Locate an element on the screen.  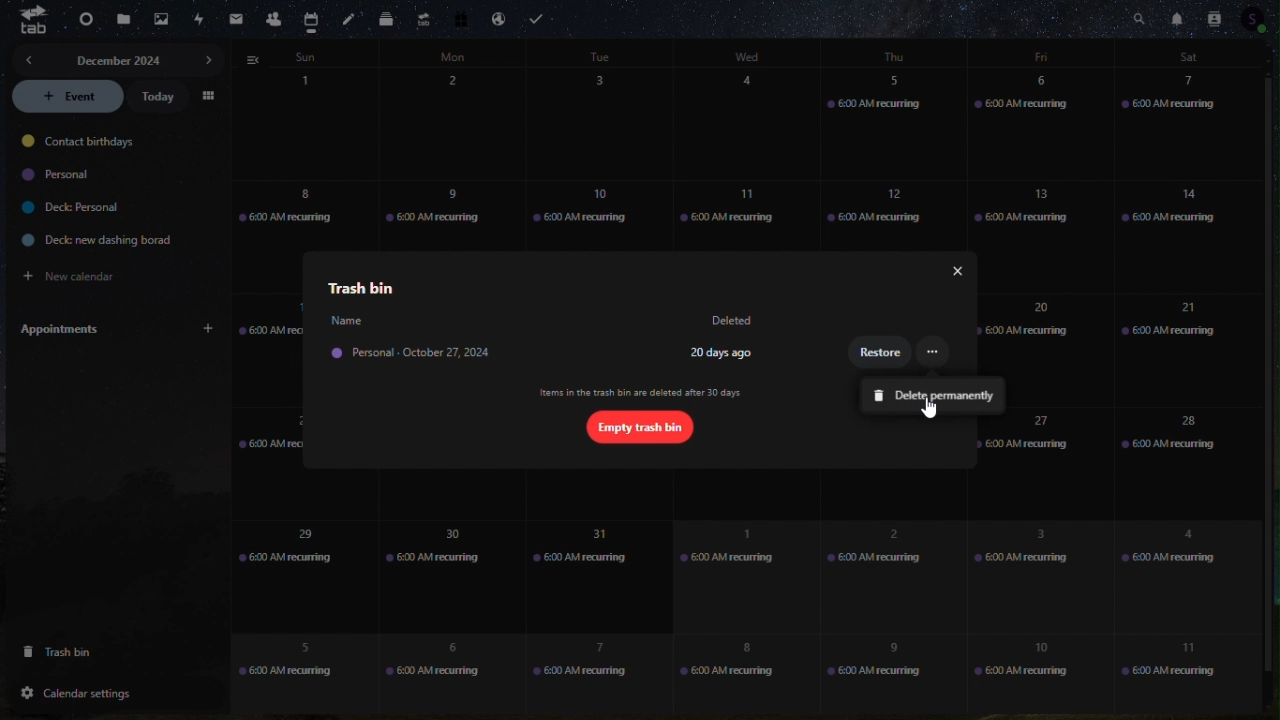
notes is located at coordinates (349, 19).